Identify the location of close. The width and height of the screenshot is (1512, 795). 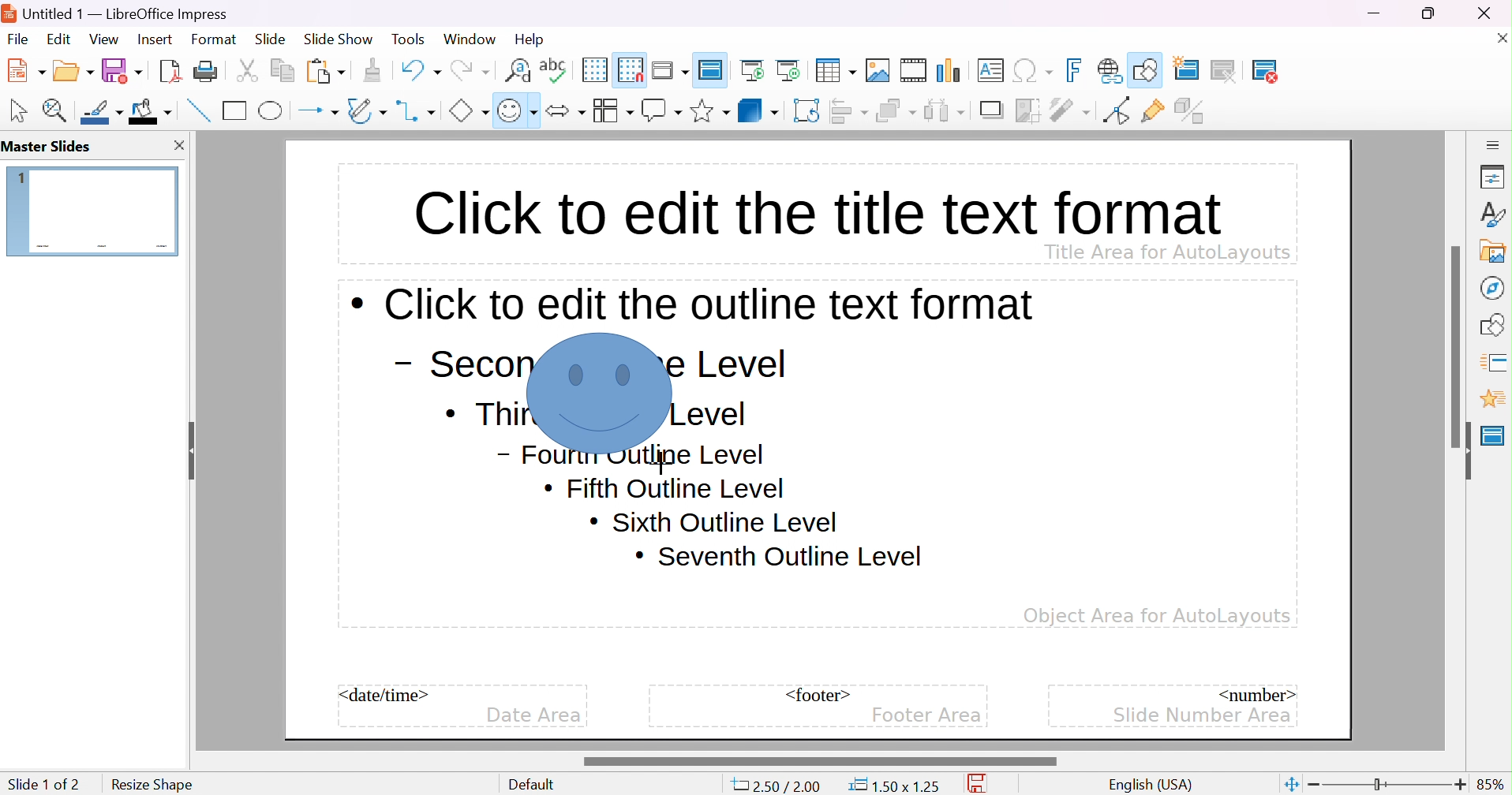
(1499, 37).